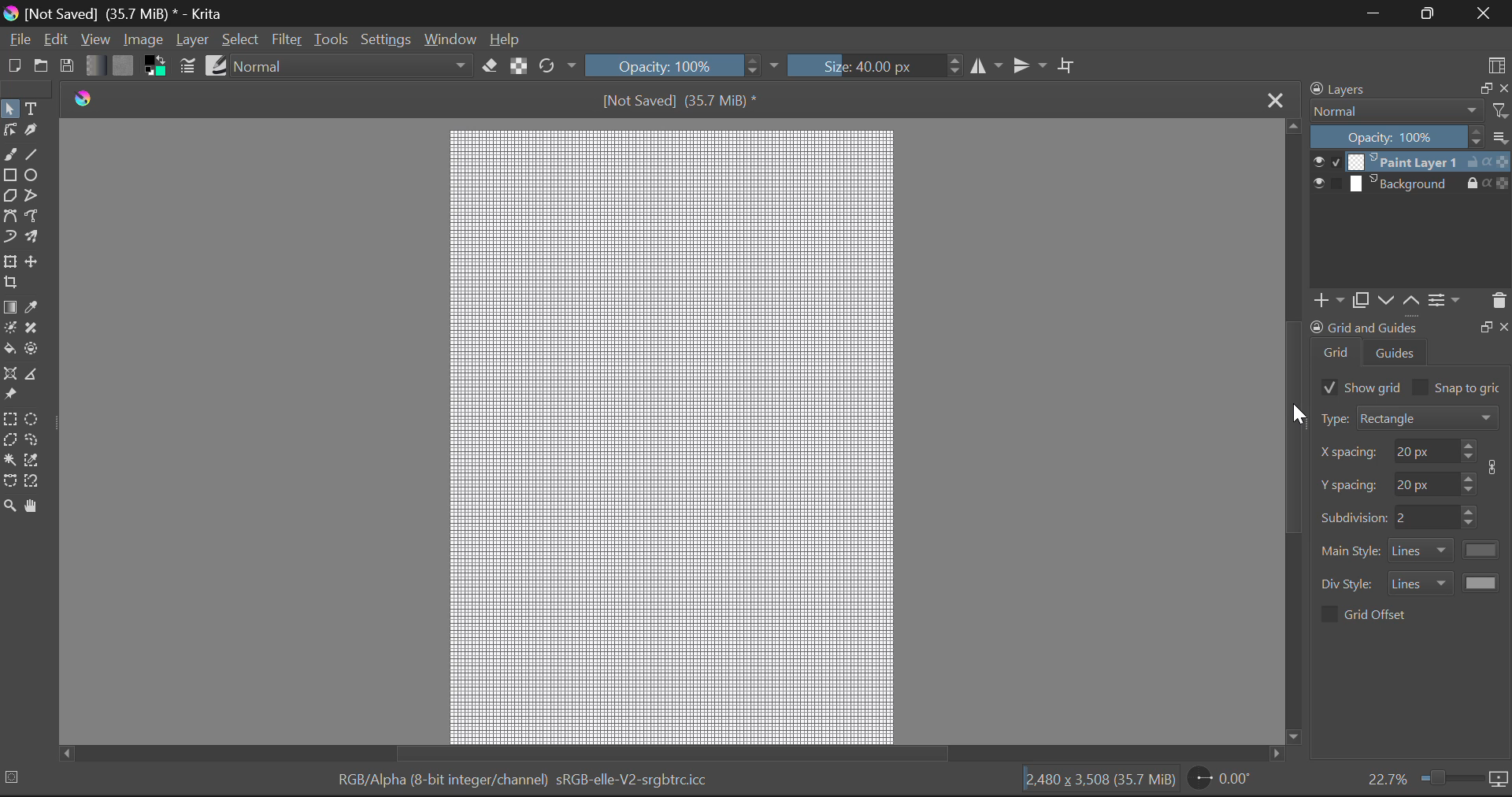 This screenshot has width=1512, height=797. I want to click on checkbox, so click(1421, 387).